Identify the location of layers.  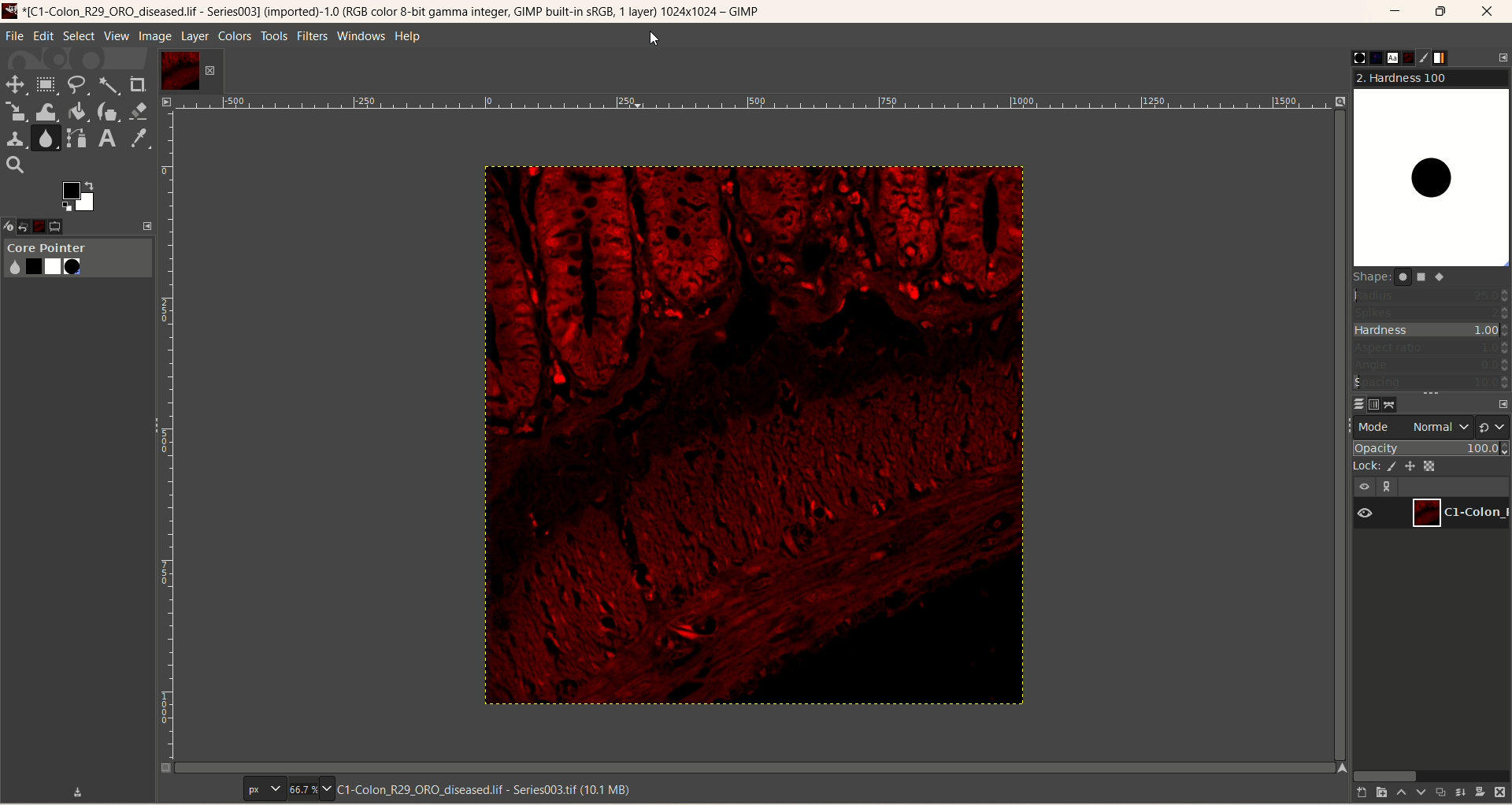
(1352, 402).